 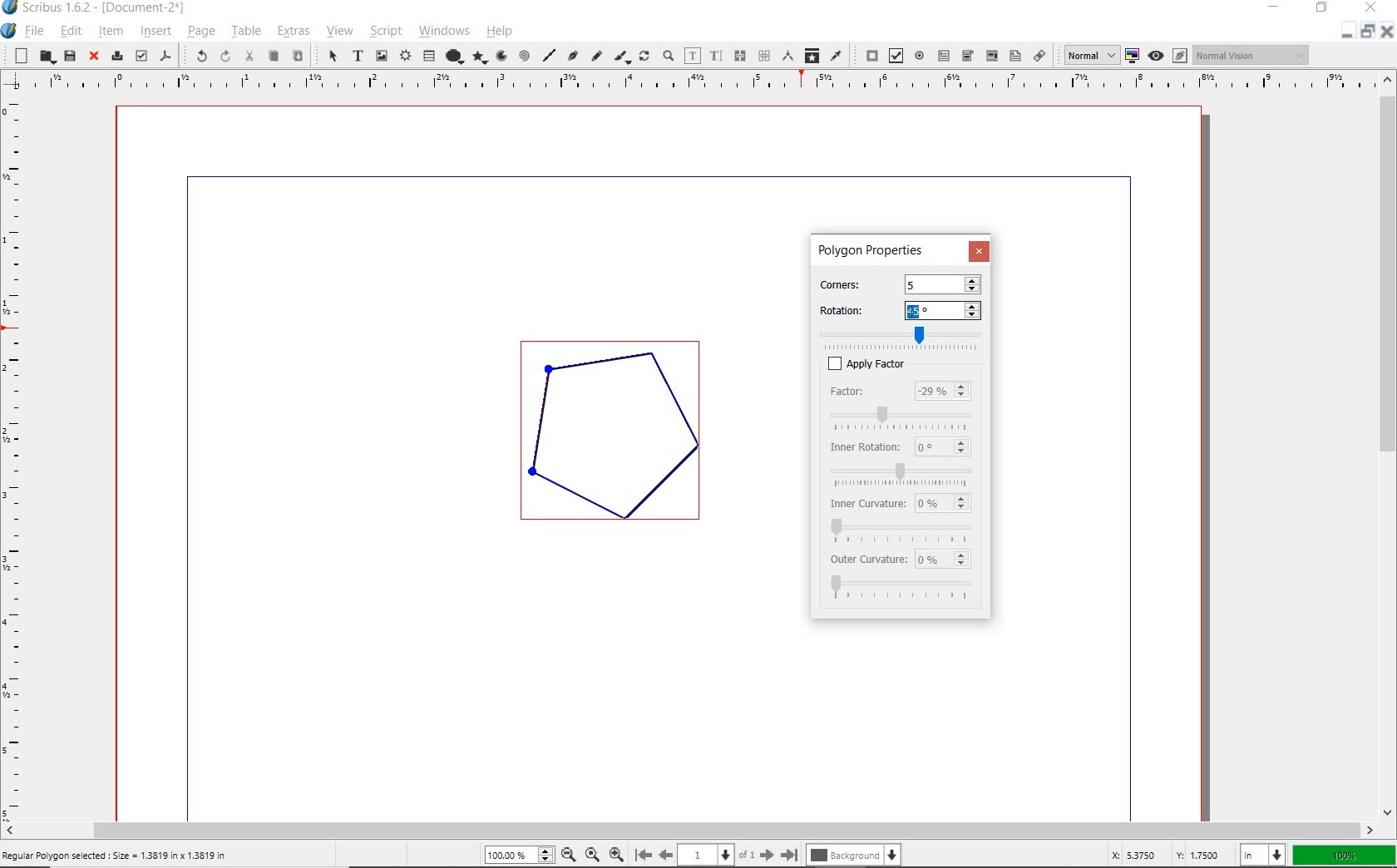 What do you see at coordinates (1198, 852) in the screenshot?
I see `v 1.8558` at bounding box center [1198, 852].